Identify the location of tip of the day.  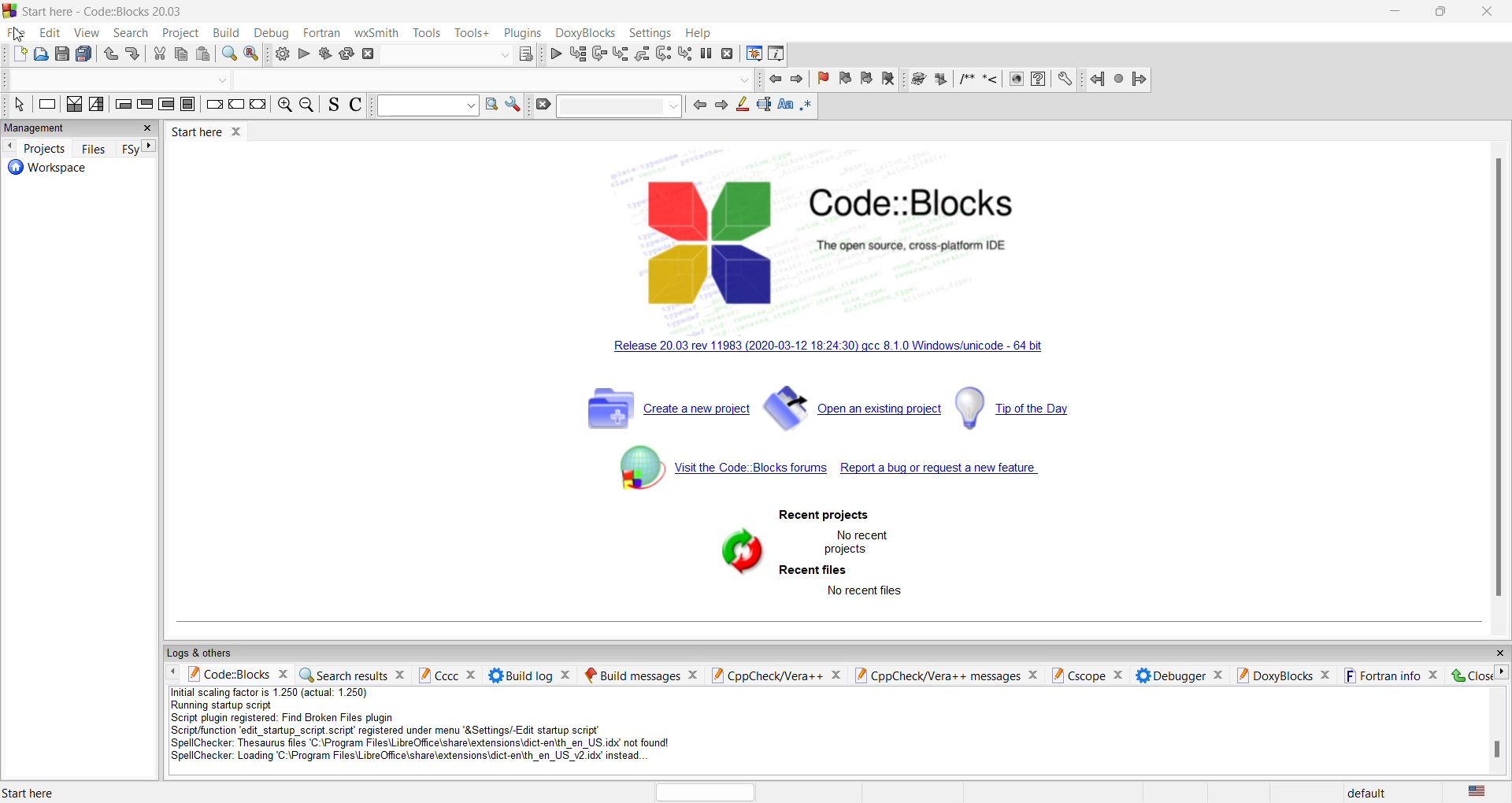
(1022, 407).